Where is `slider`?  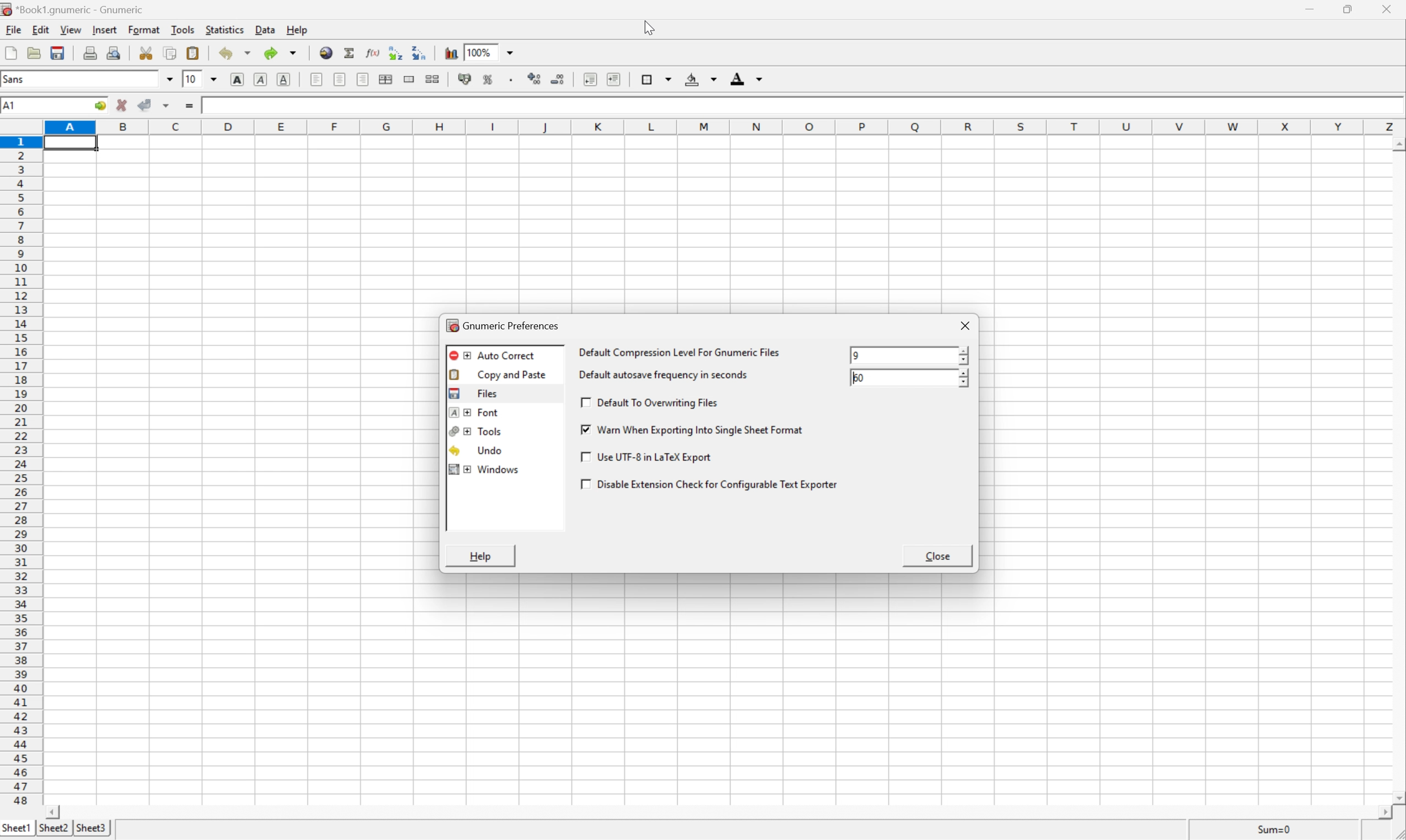
slider is located at coordinates (968, 377).